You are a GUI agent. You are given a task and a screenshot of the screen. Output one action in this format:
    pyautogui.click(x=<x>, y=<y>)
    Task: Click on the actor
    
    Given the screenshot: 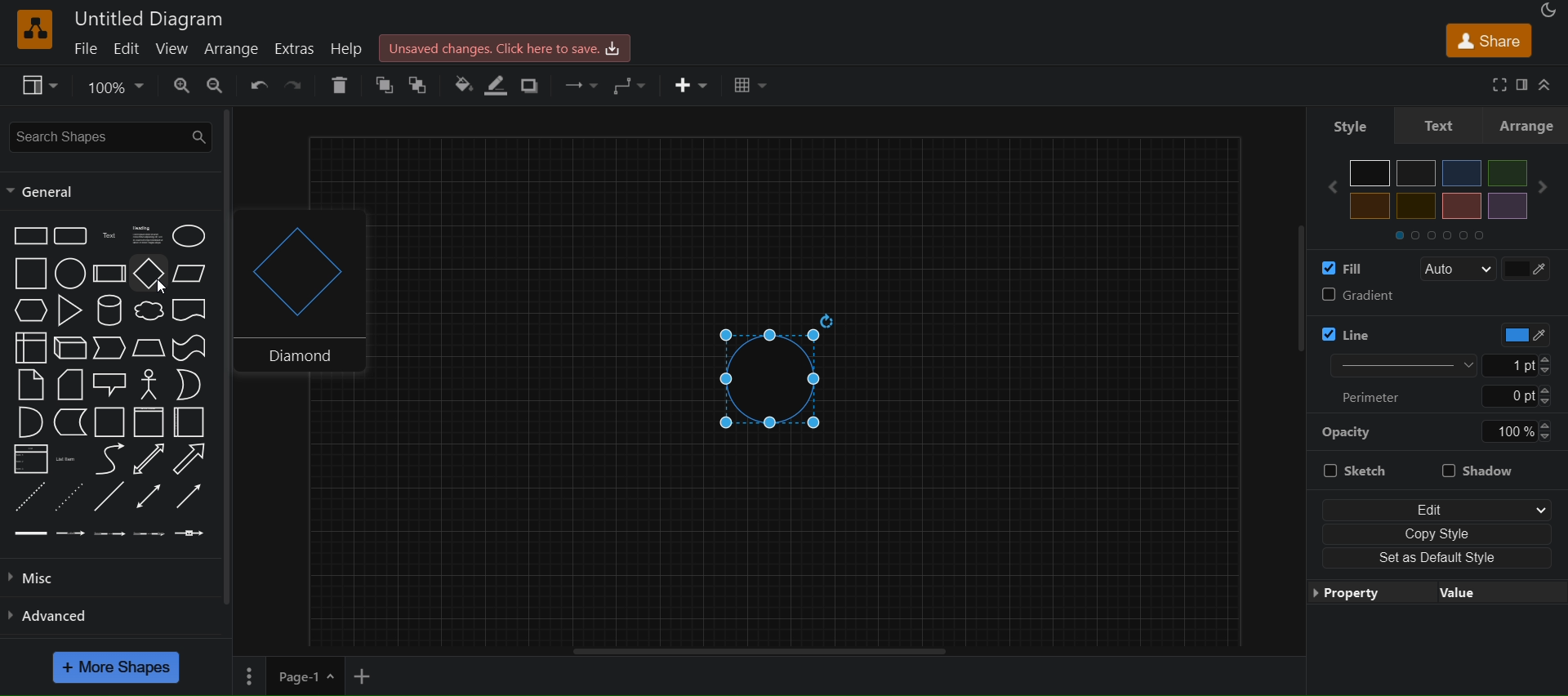 What is the action you would take?
    pyautogui.click(x=150, y=385)
    